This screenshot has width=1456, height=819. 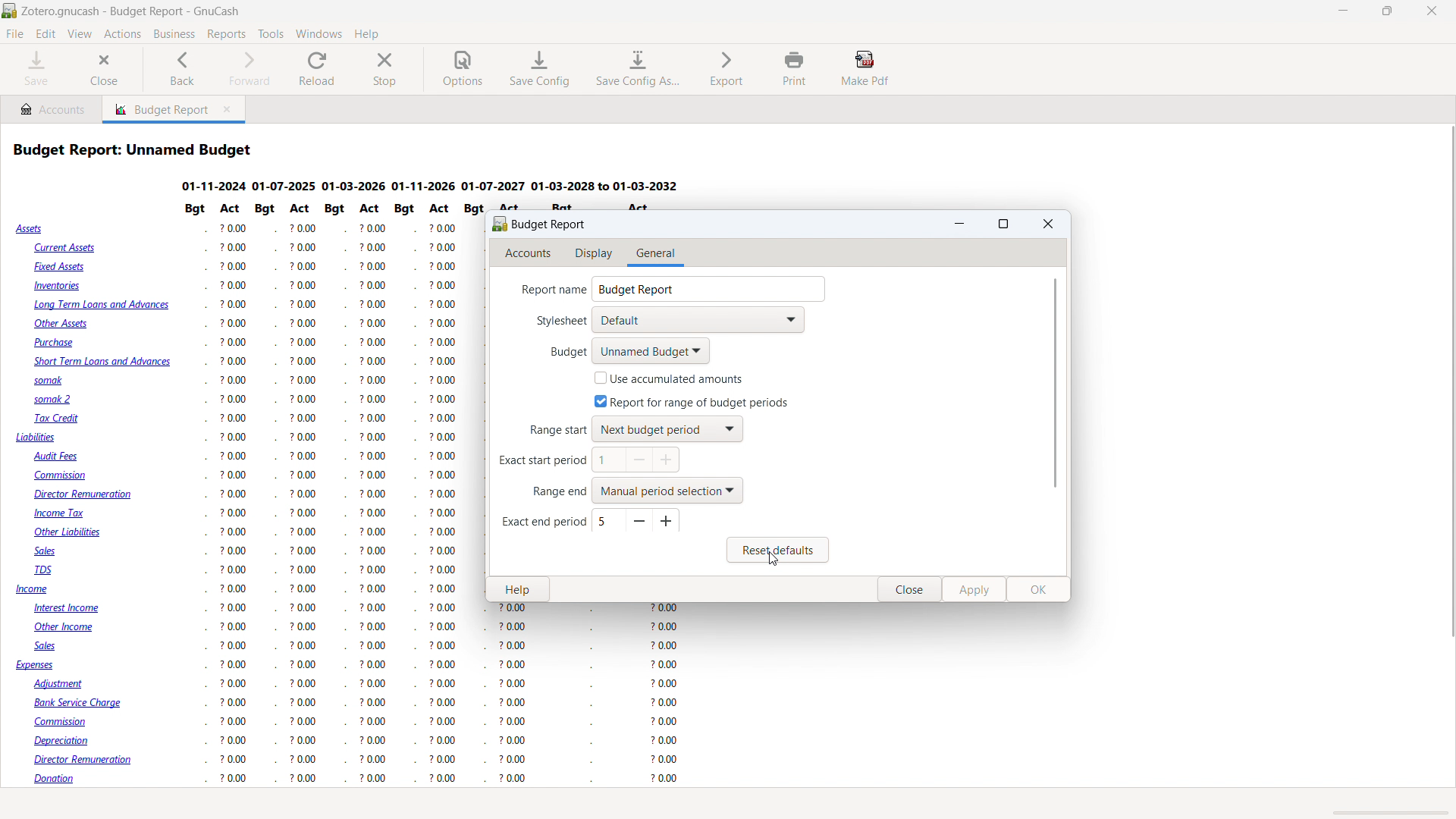 What do you see at coordinates (691, 401) in the screenshot?
I see `report for range of budget periods` at bounding box center [691, 401].